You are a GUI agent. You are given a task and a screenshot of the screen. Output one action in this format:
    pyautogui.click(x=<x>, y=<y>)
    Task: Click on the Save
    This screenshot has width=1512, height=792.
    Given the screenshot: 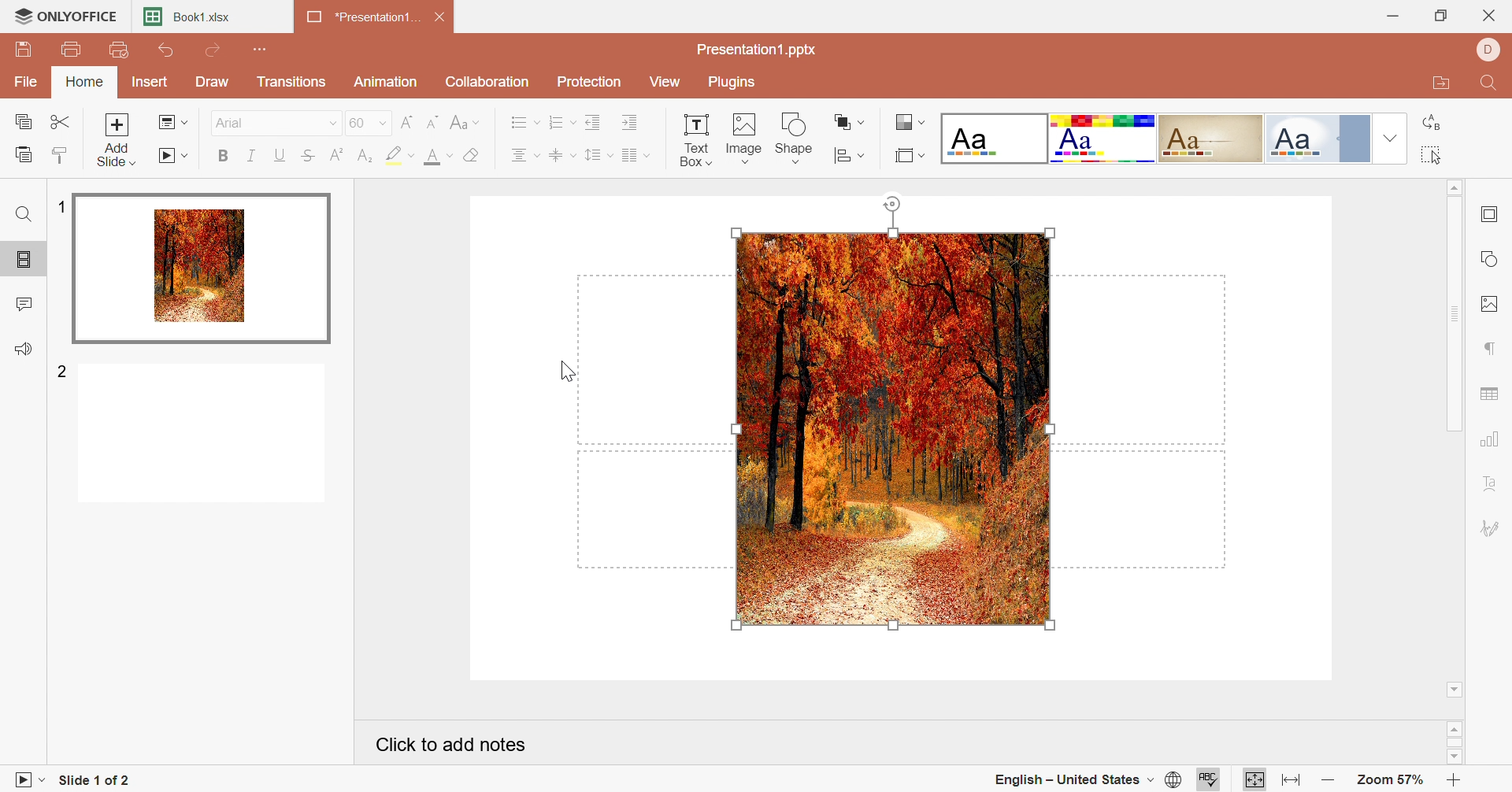 What is the action you would take?
    pyautogui.click(x=26, y=52)
    